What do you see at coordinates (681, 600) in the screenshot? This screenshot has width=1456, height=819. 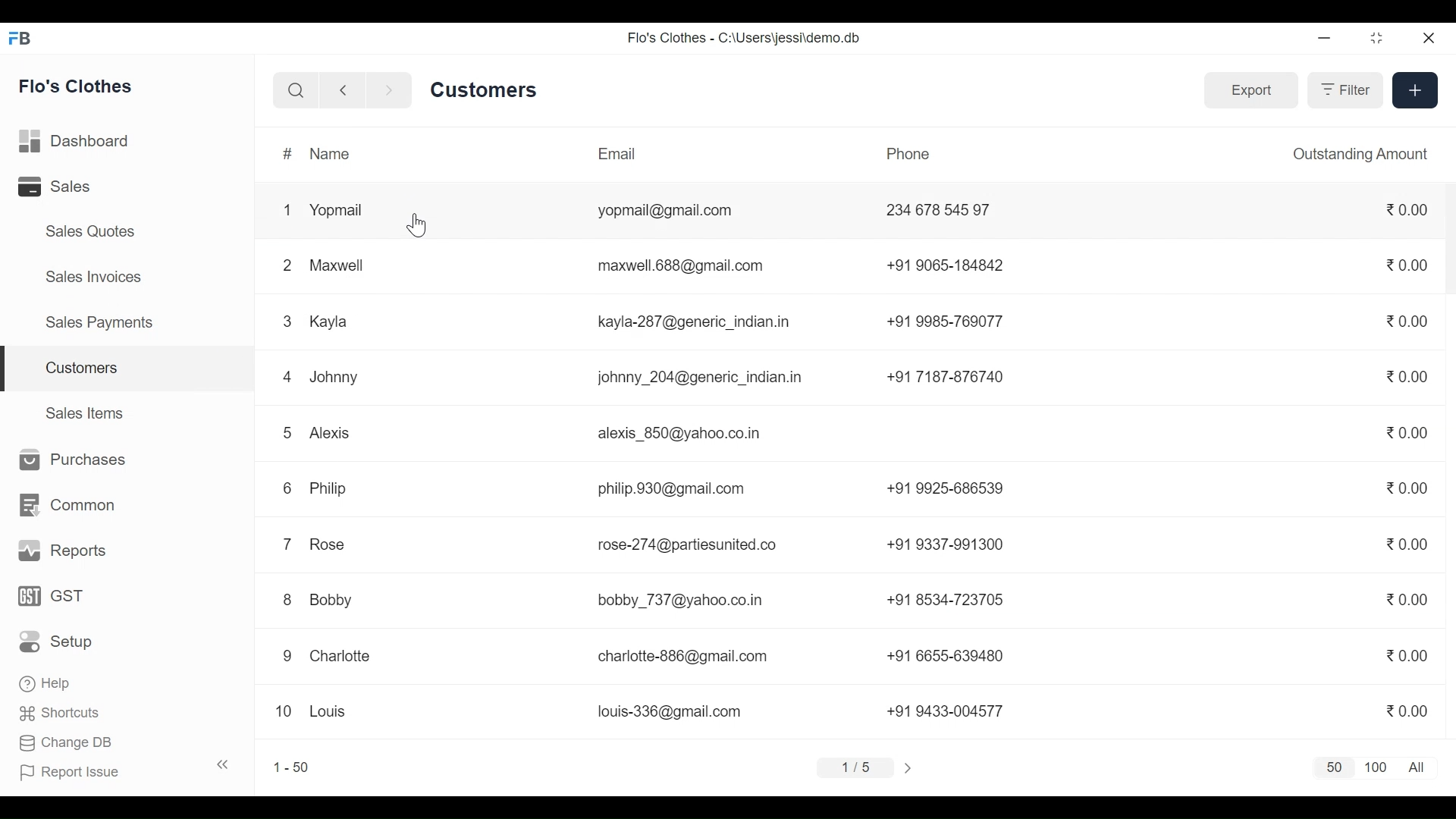 I see `bobby _737@yahoo.co.in` at bounding box center [681, 600].